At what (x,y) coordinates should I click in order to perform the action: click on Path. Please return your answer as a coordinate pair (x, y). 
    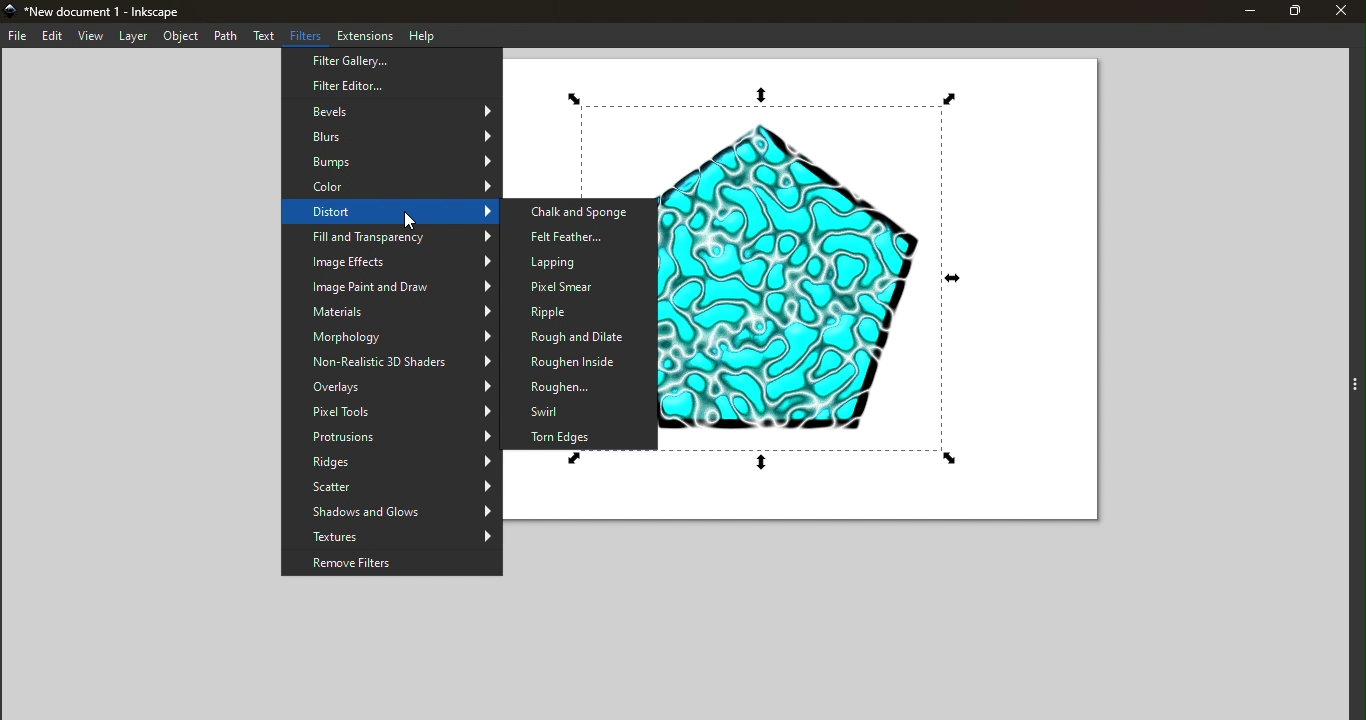
    Looking at the image, I should click on (226, 36).